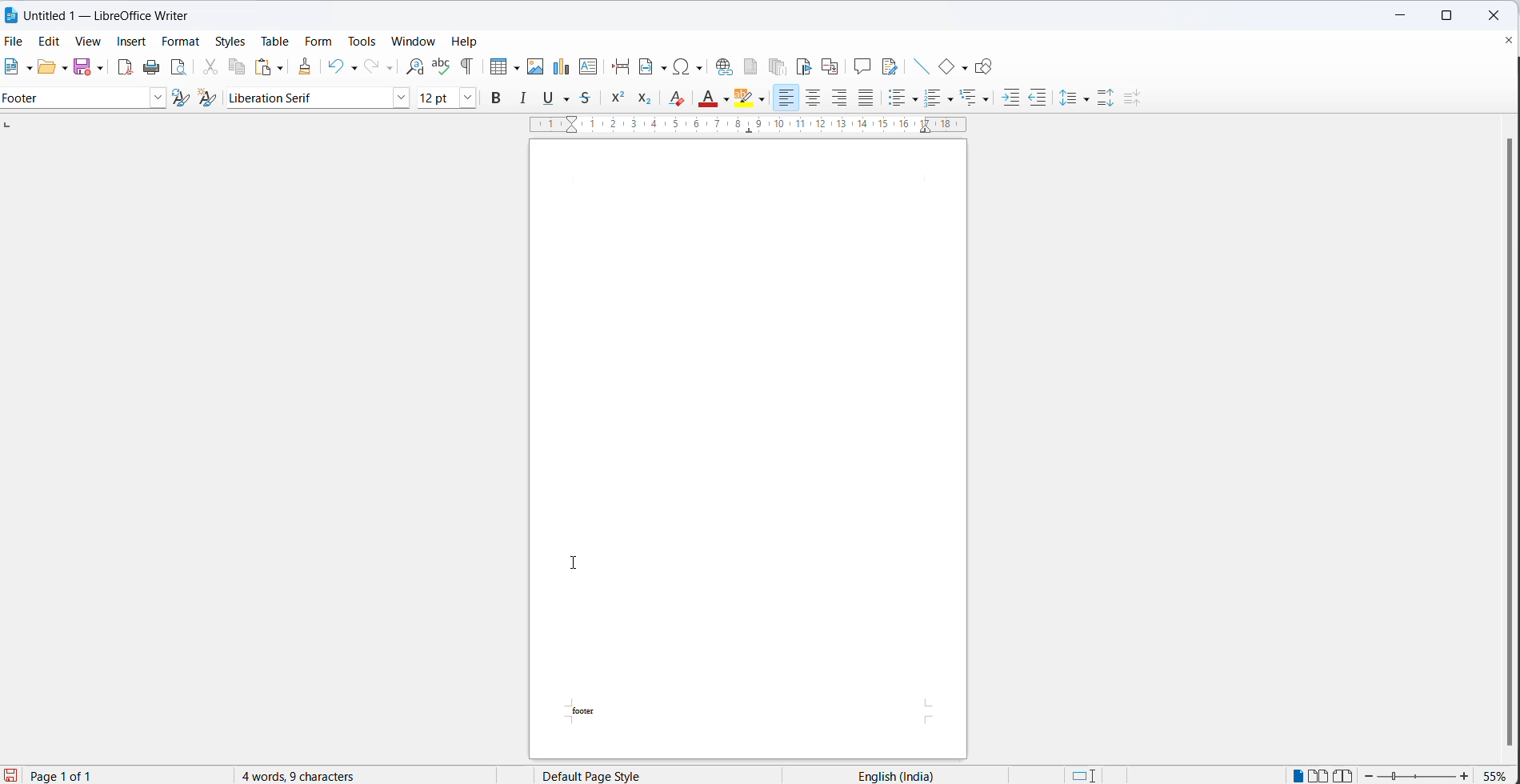 Image resolution: width=1520 pixels, height=784 pixels. What do you see at coordinates (443, 68) in the screenshot?
I see `spellings` at bounding box center [443, 68].